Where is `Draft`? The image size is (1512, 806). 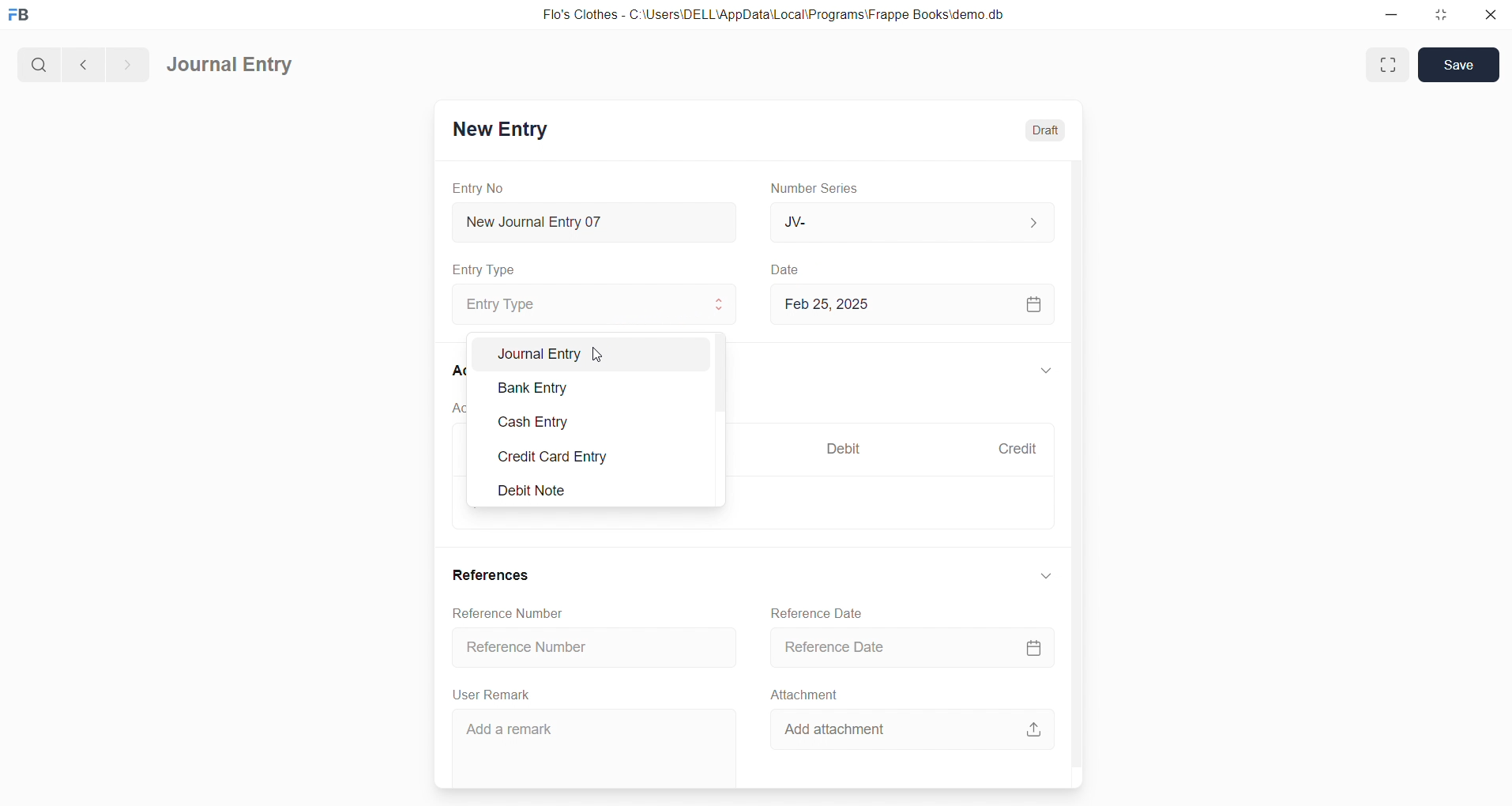
Draft is located at coordinates (1046, 128).